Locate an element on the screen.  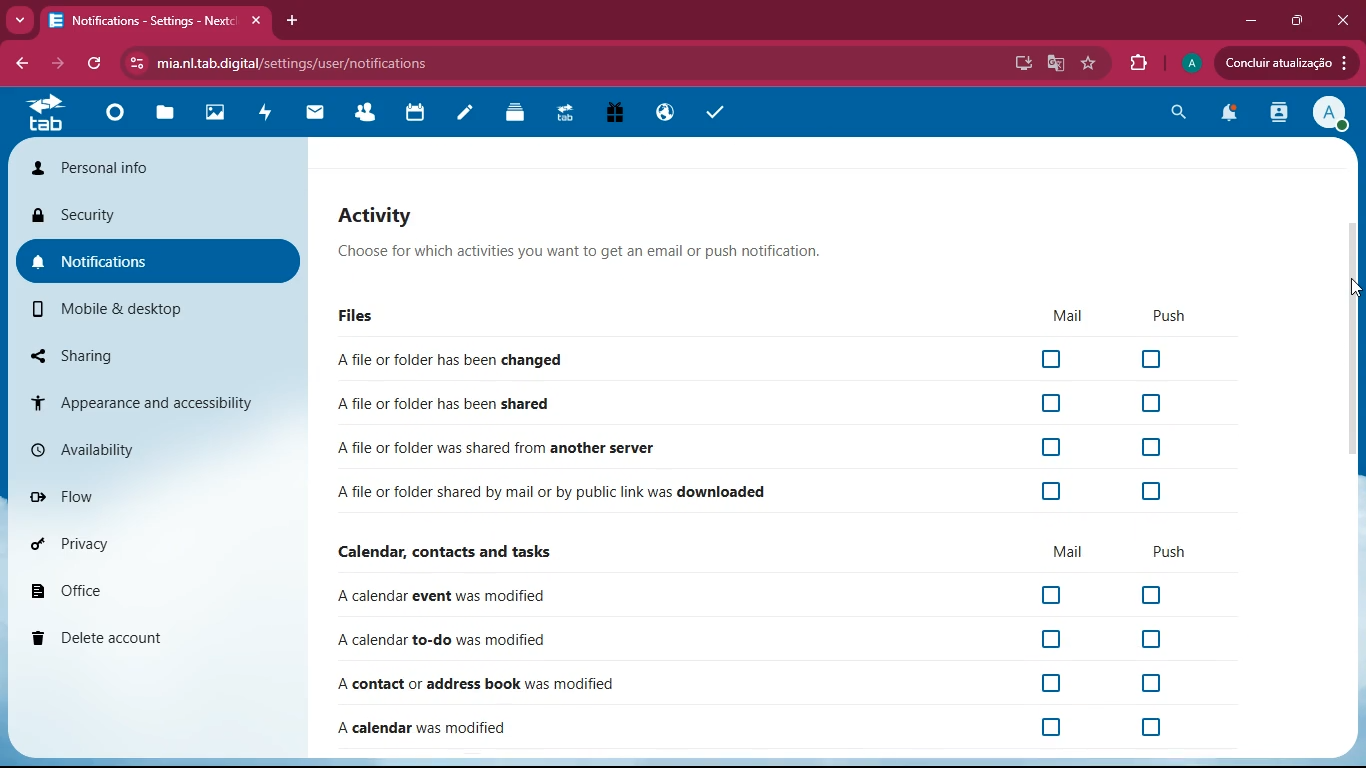
flow is located at coordinates (162, 495).